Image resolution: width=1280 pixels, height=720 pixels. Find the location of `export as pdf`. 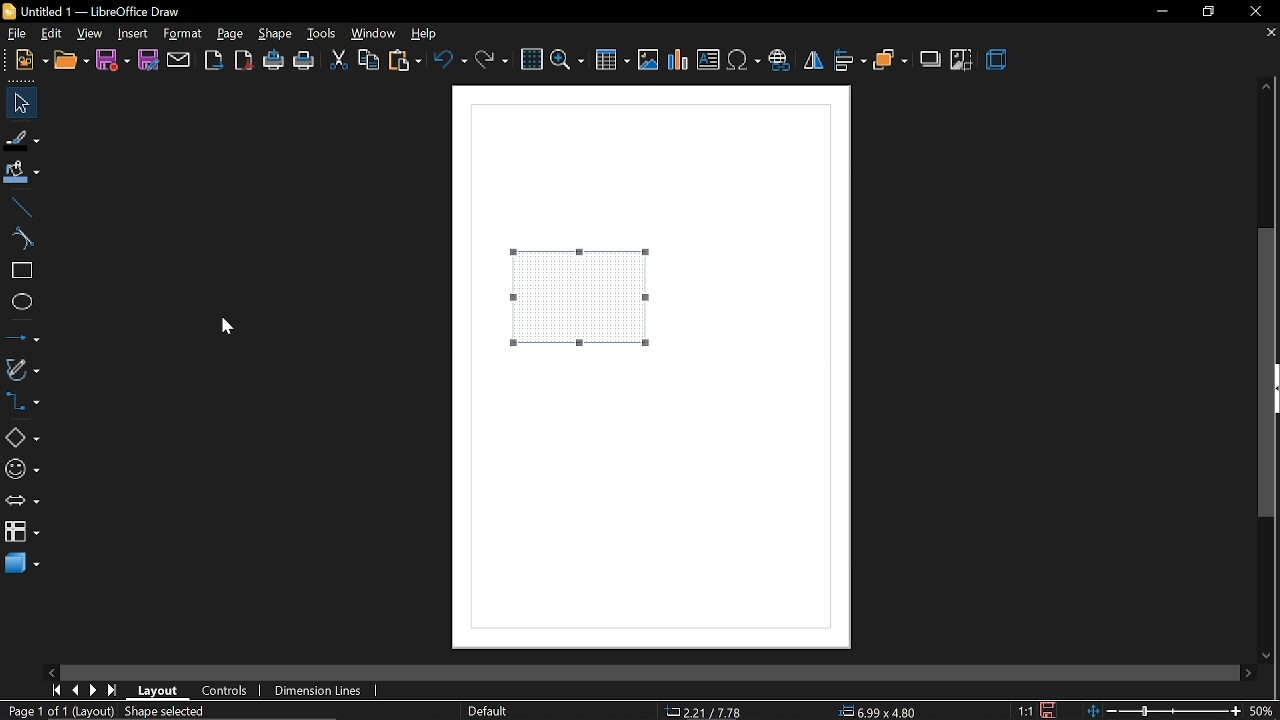

export as pdf is located at coordinates (243, 60).